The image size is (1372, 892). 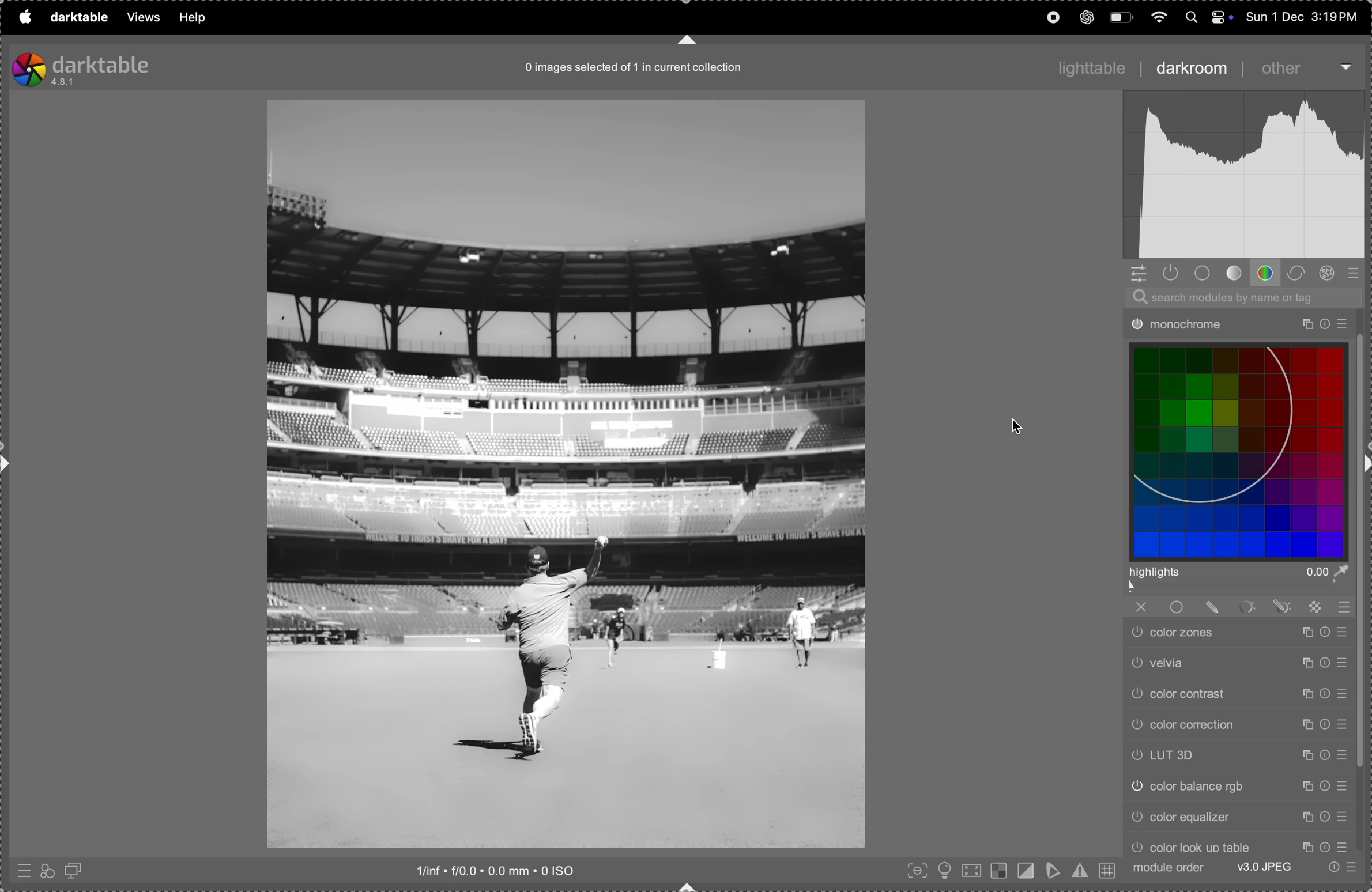 What do you see at coordinates (946, 870) in the screenshot?
I see `toggle iso` at bounding box center [946, 870].